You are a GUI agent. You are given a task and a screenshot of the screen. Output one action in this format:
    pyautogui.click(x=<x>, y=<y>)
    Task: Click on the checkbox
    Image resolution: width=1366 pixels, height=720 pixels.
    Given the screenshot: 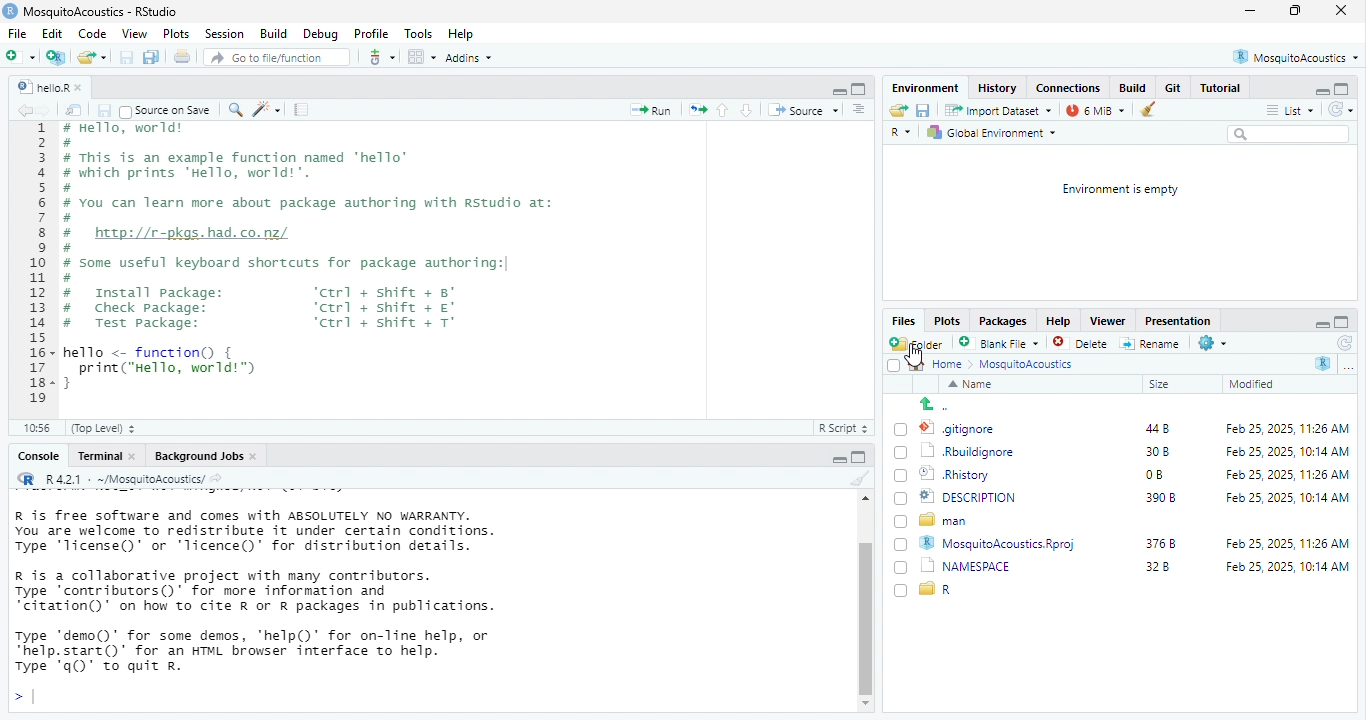 What is the action you would take?
    pyautogui.click(x=897, y=591)
    